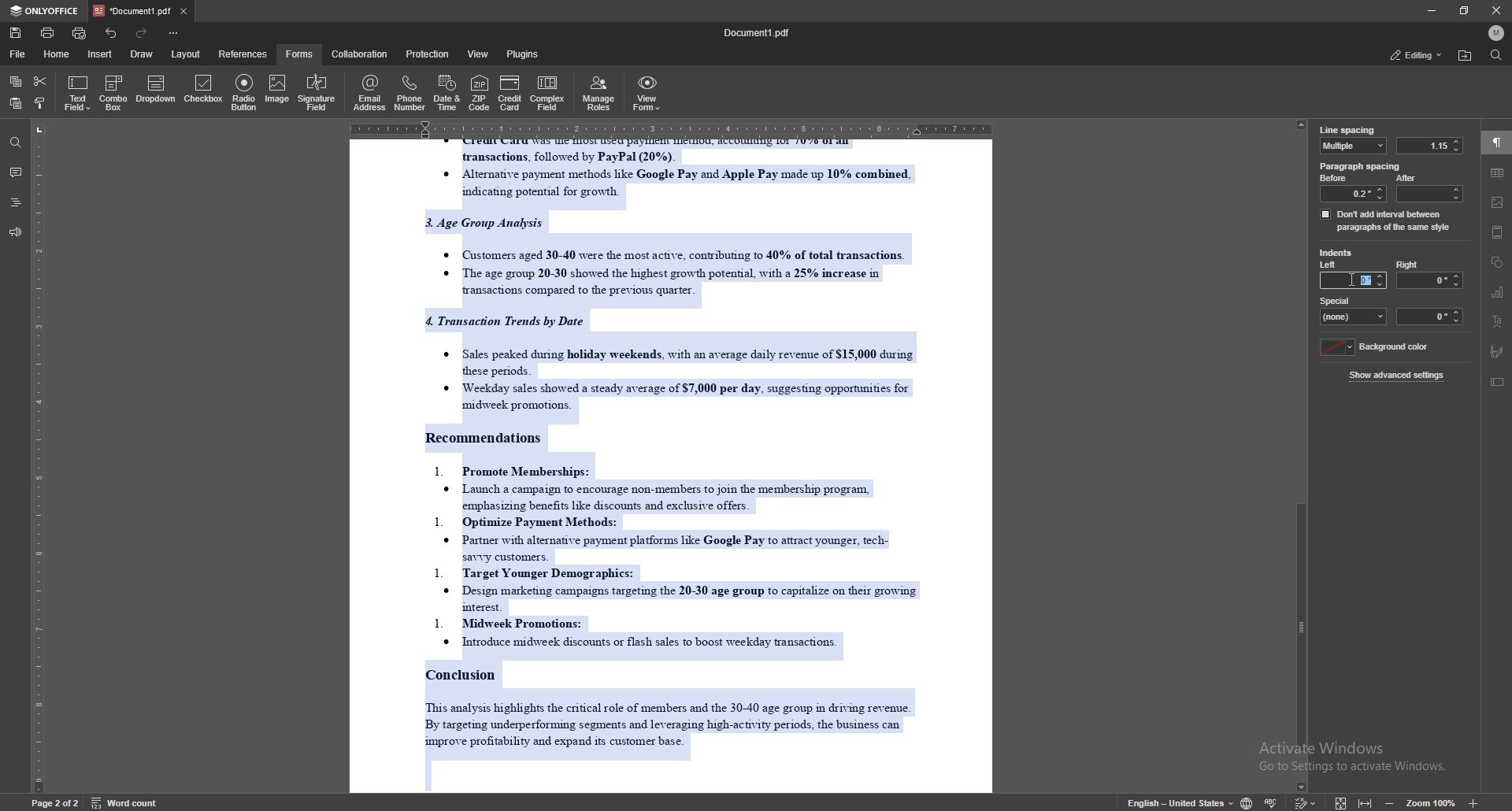  Describe the element at coordinates (1496, 10) in the screenshot. I see `close` at that location.